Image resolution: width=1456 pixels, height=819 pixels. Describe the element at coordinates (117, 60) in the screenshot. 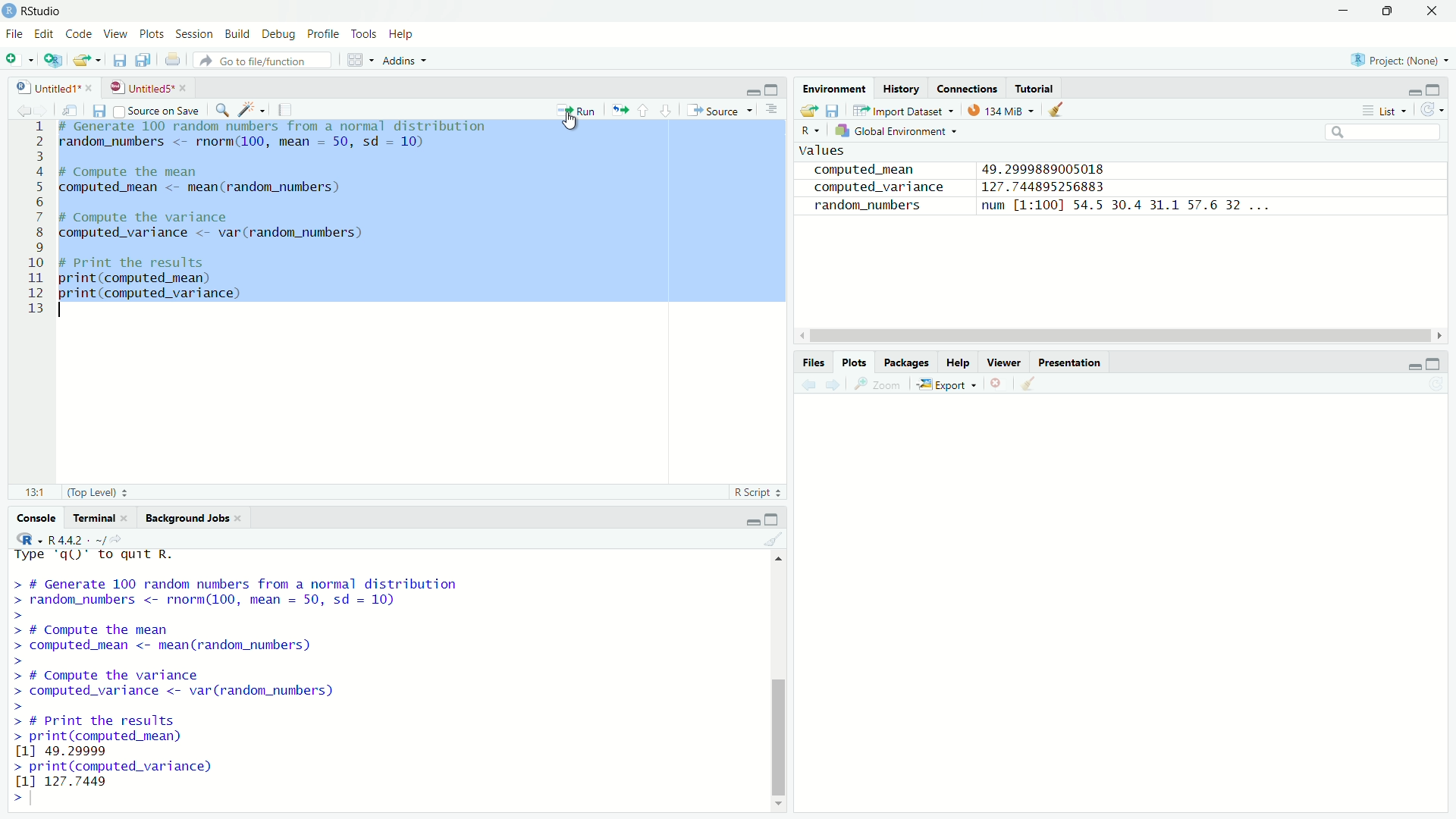

I see `save current document` at that location.